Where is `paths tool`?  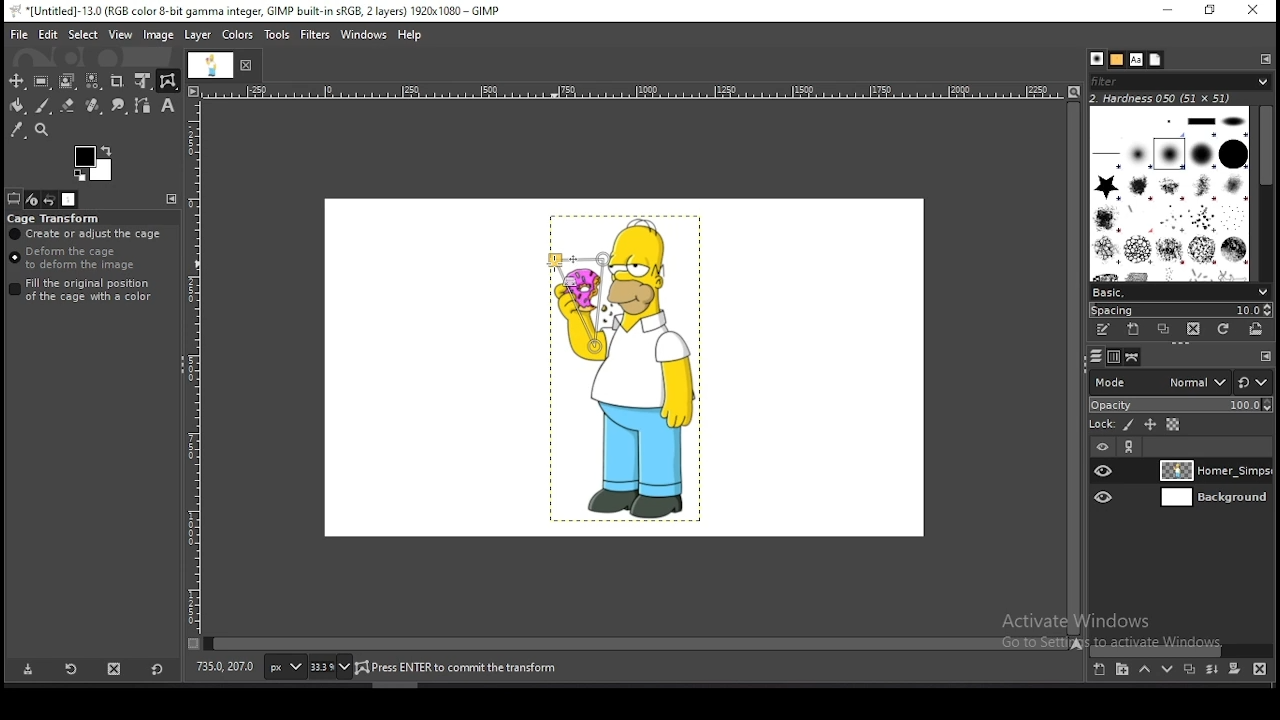
paths tool is located at coordinates (142, 105).